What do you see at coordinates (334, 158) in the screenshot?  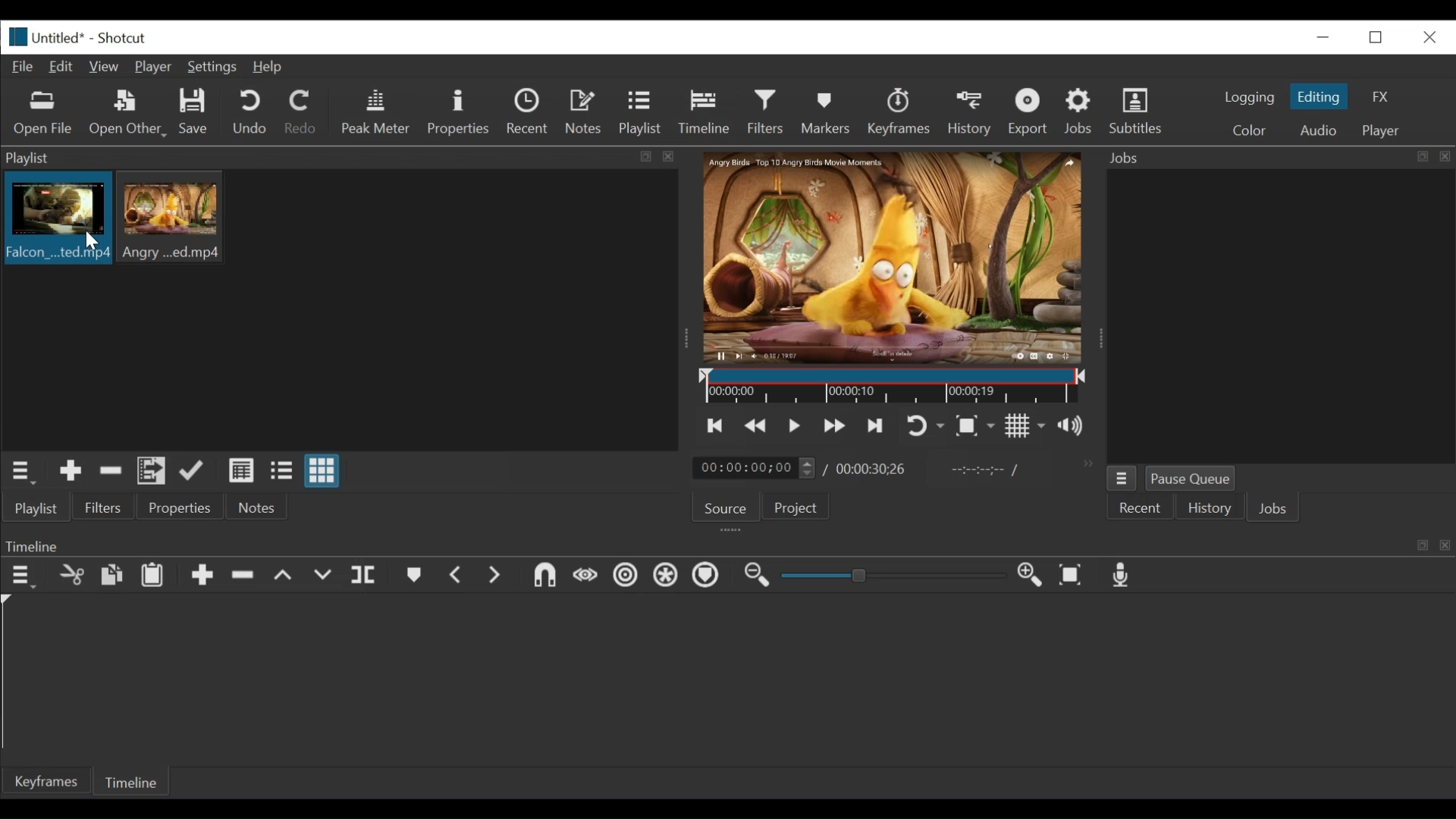 I see `playlist panel` at bounding box center [334, 158].